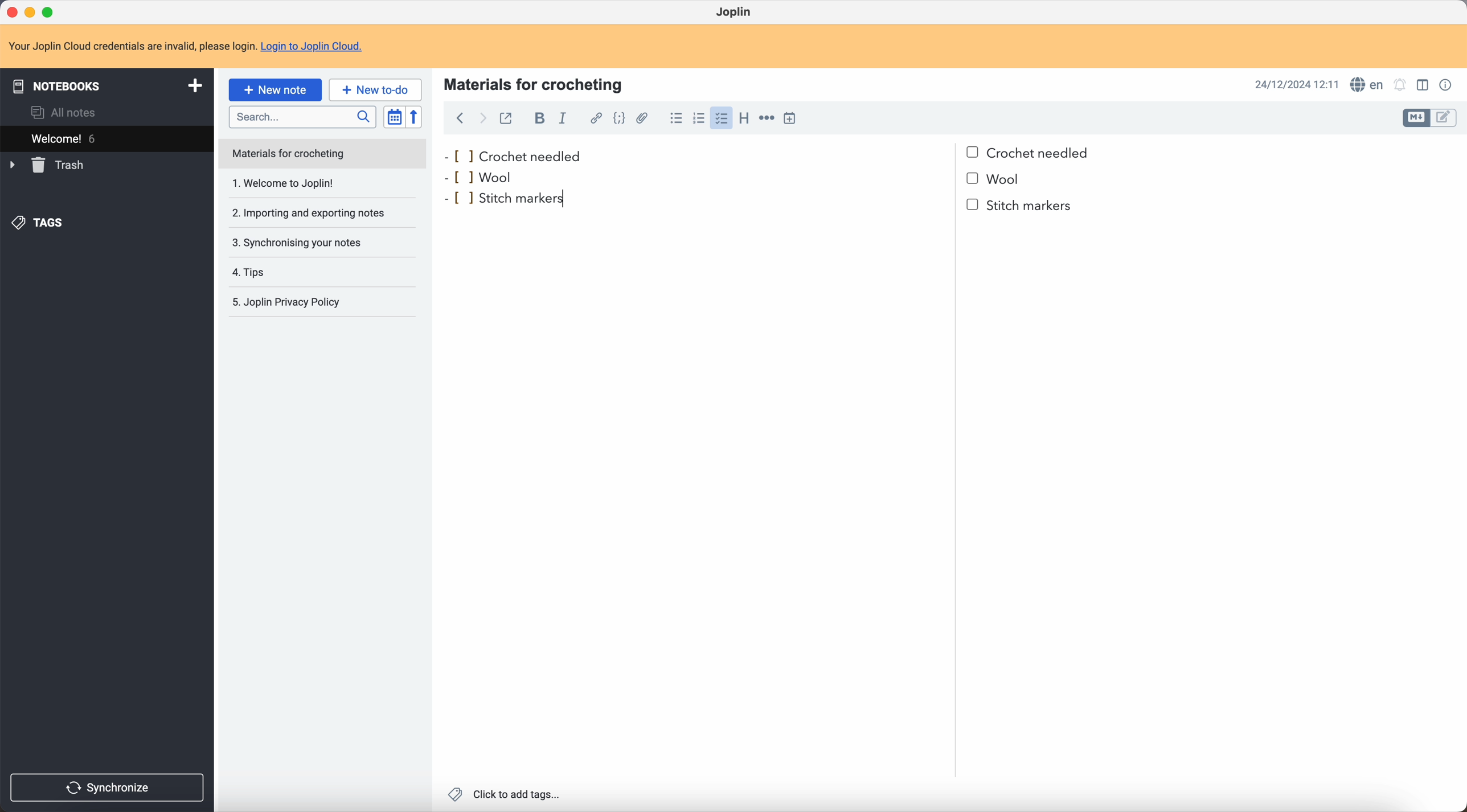 The height and width of the screenshot is (812, 1467). I want to click on code, so click(621, 119).